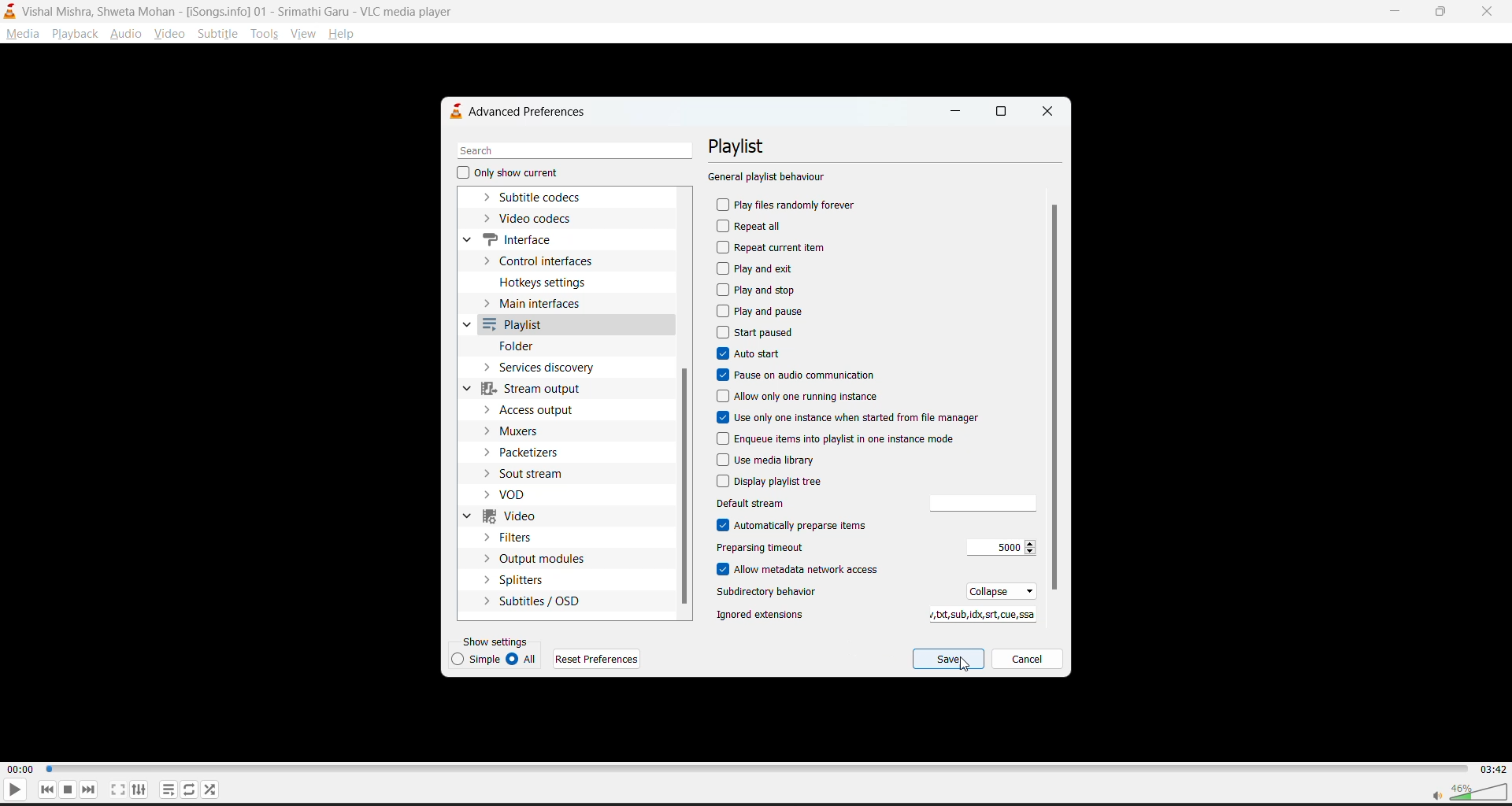 The width and height of the screenshot is (1512, 806). I want to click on advanced preferences, so click(525, 113).